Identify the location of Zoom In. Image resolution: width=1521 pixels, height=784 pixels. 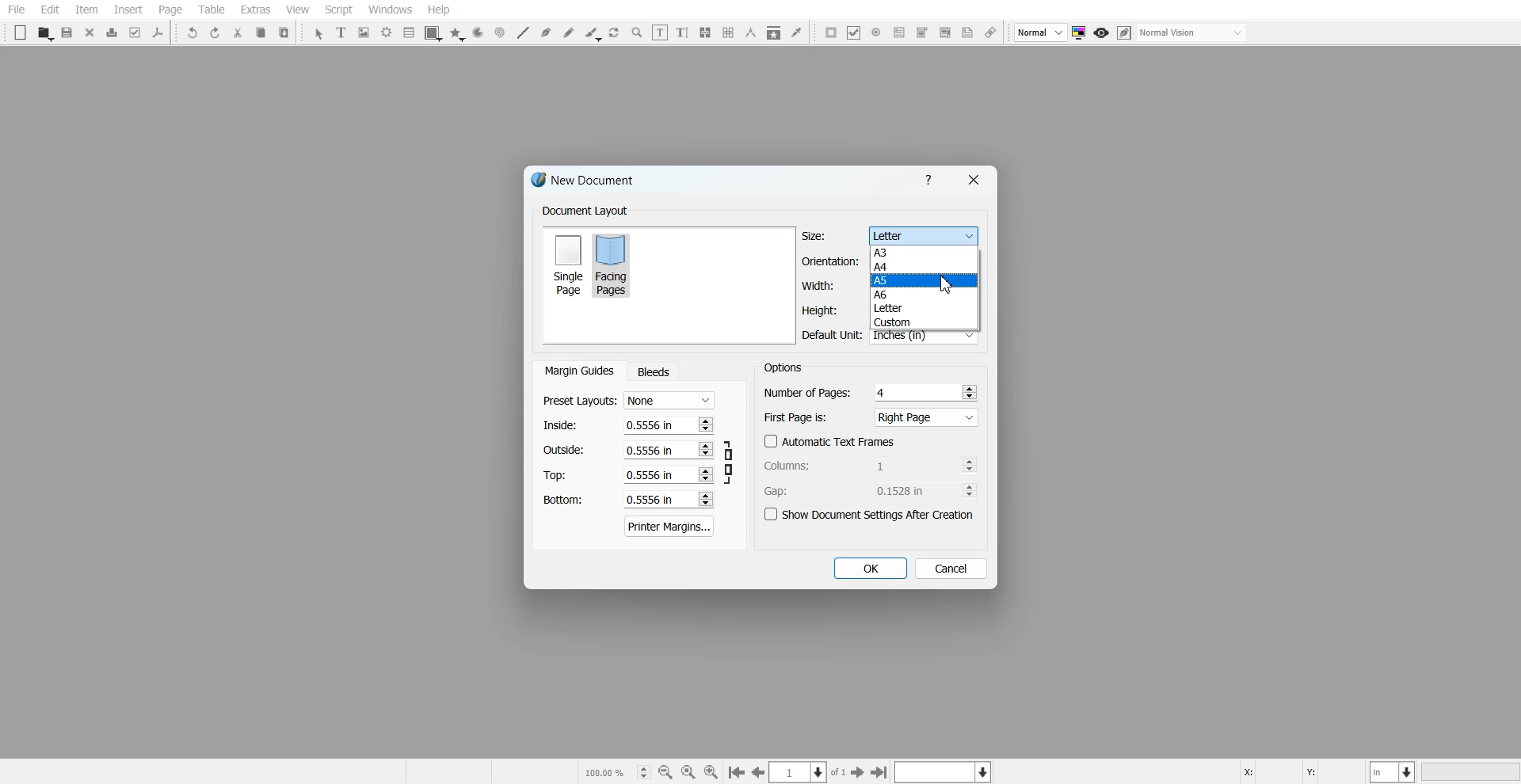
(711, 771).